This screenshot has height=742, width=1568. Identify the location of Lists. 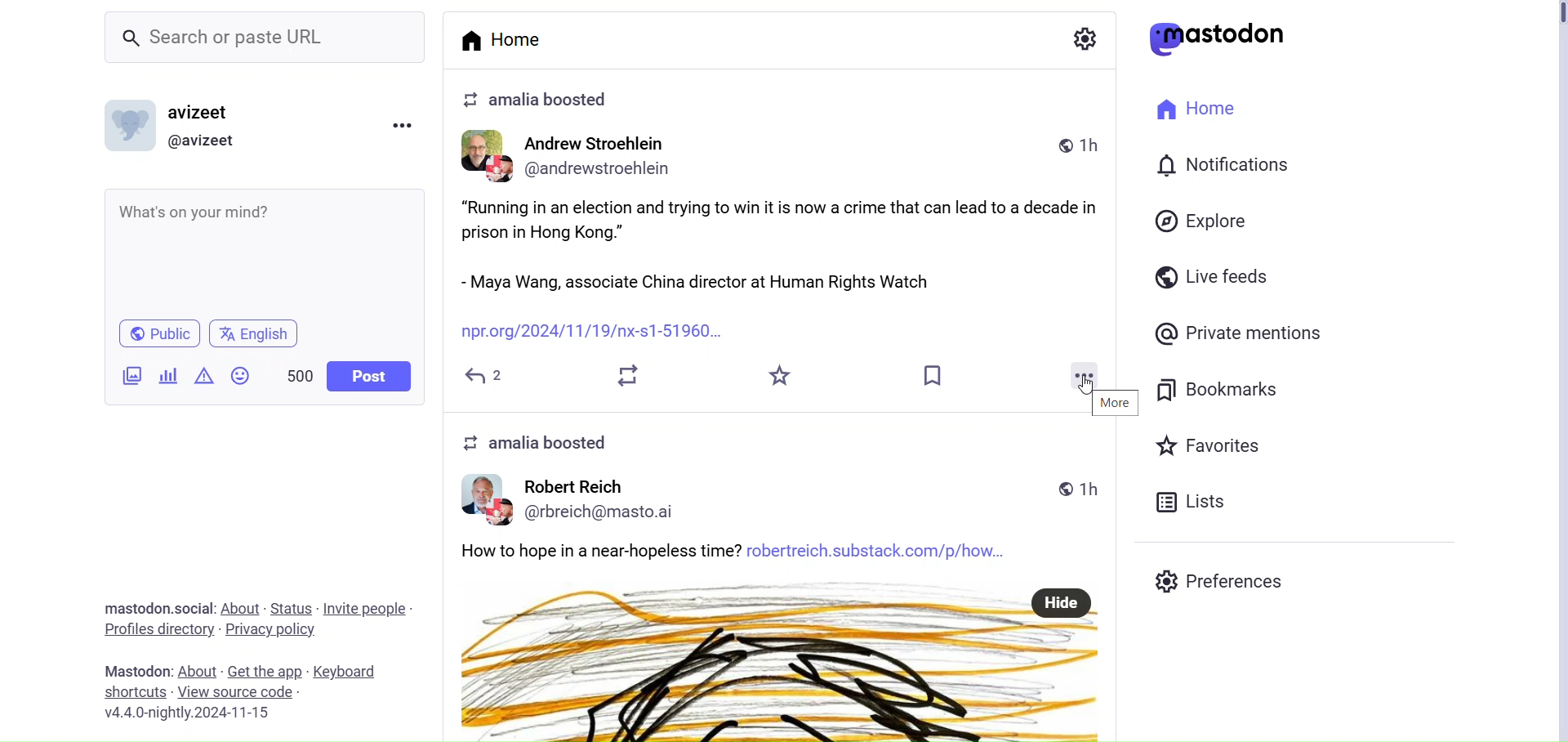
(1194, 502).